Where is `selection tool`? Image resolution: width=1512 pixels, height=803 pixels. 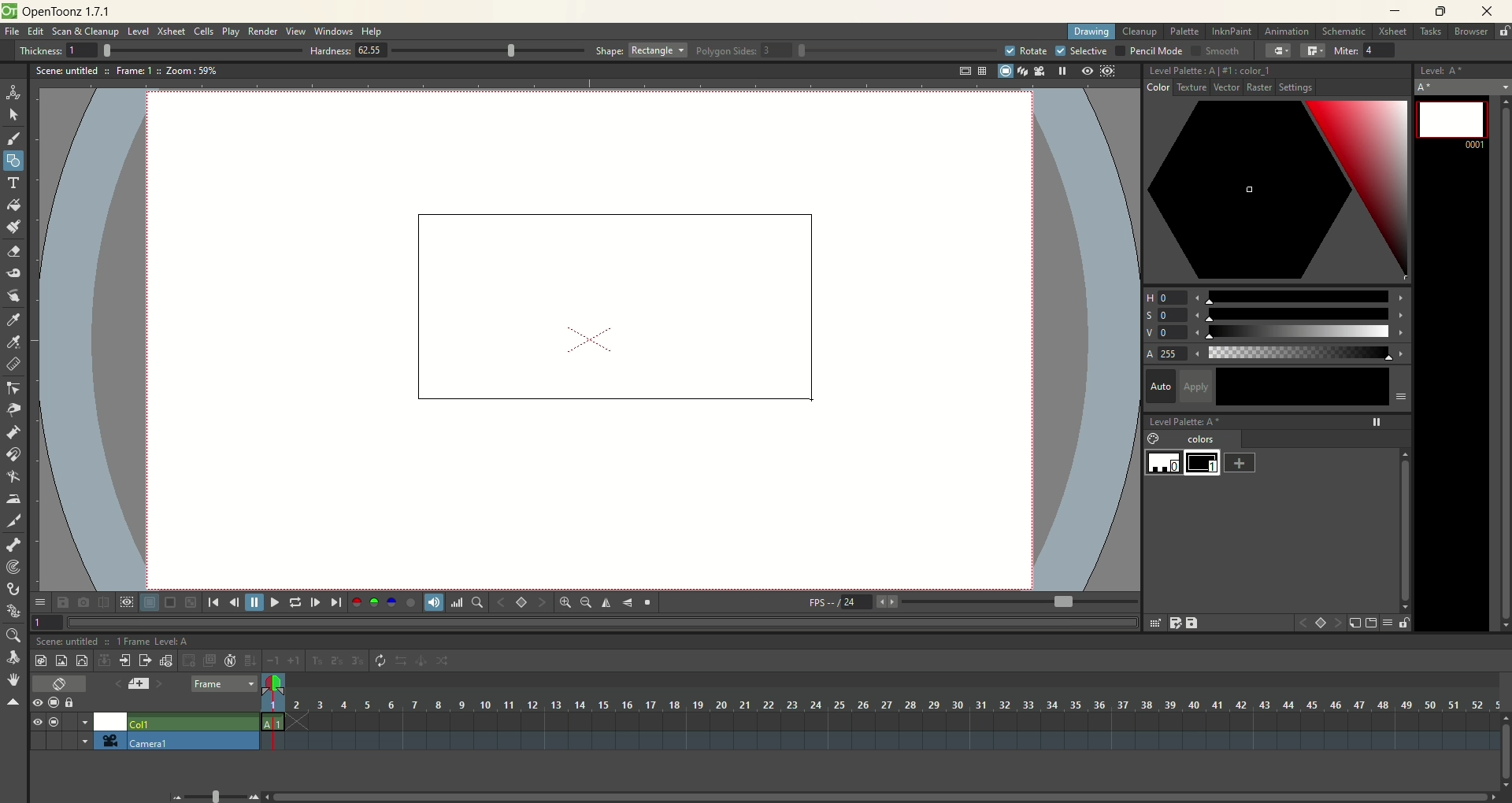 selection tool is located at coordinates (13, 114).